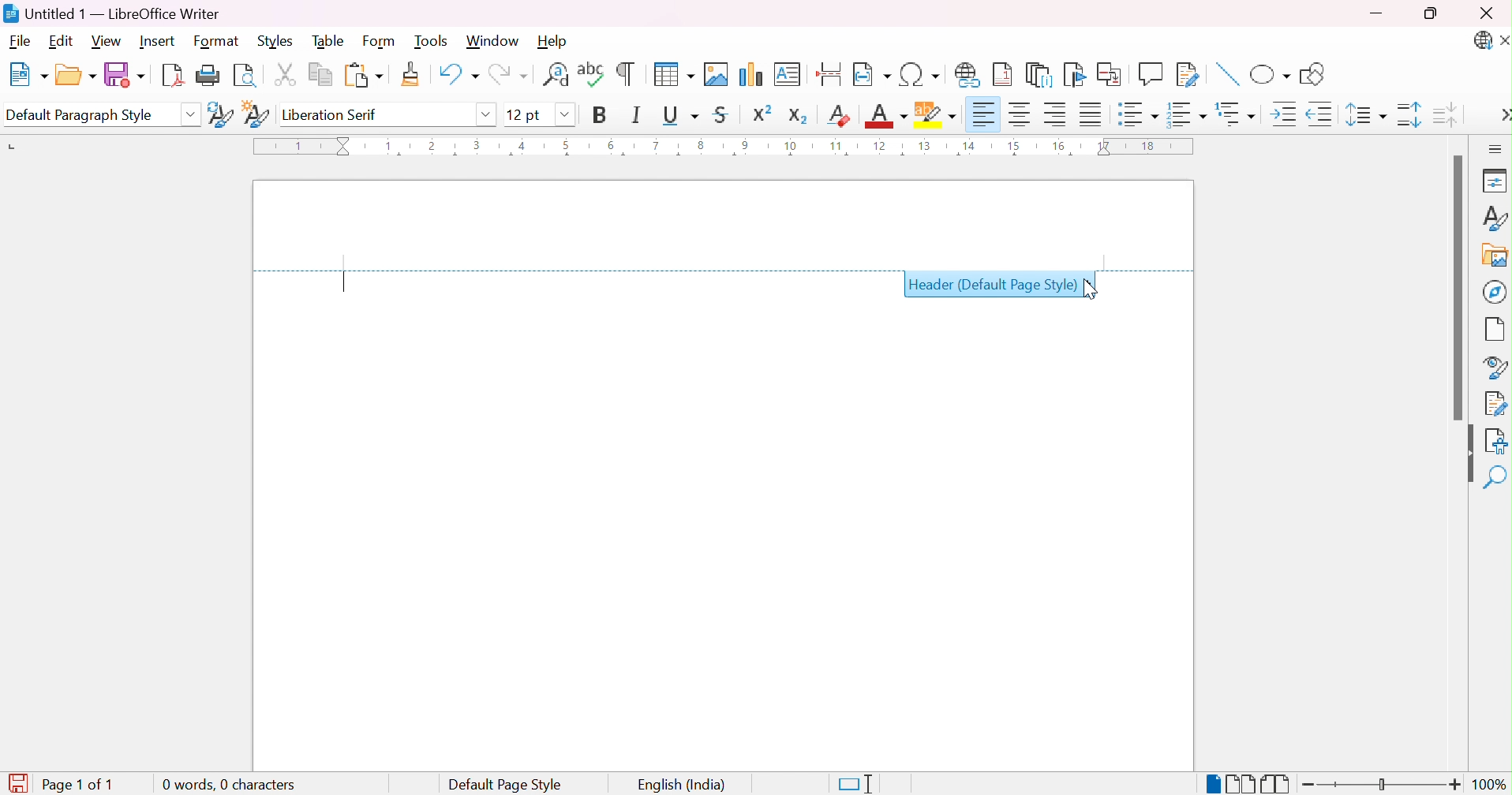 Image resolution: width=1512 pixels, height=795 pixels. I want to click on Gallery, so click(1494, 257).